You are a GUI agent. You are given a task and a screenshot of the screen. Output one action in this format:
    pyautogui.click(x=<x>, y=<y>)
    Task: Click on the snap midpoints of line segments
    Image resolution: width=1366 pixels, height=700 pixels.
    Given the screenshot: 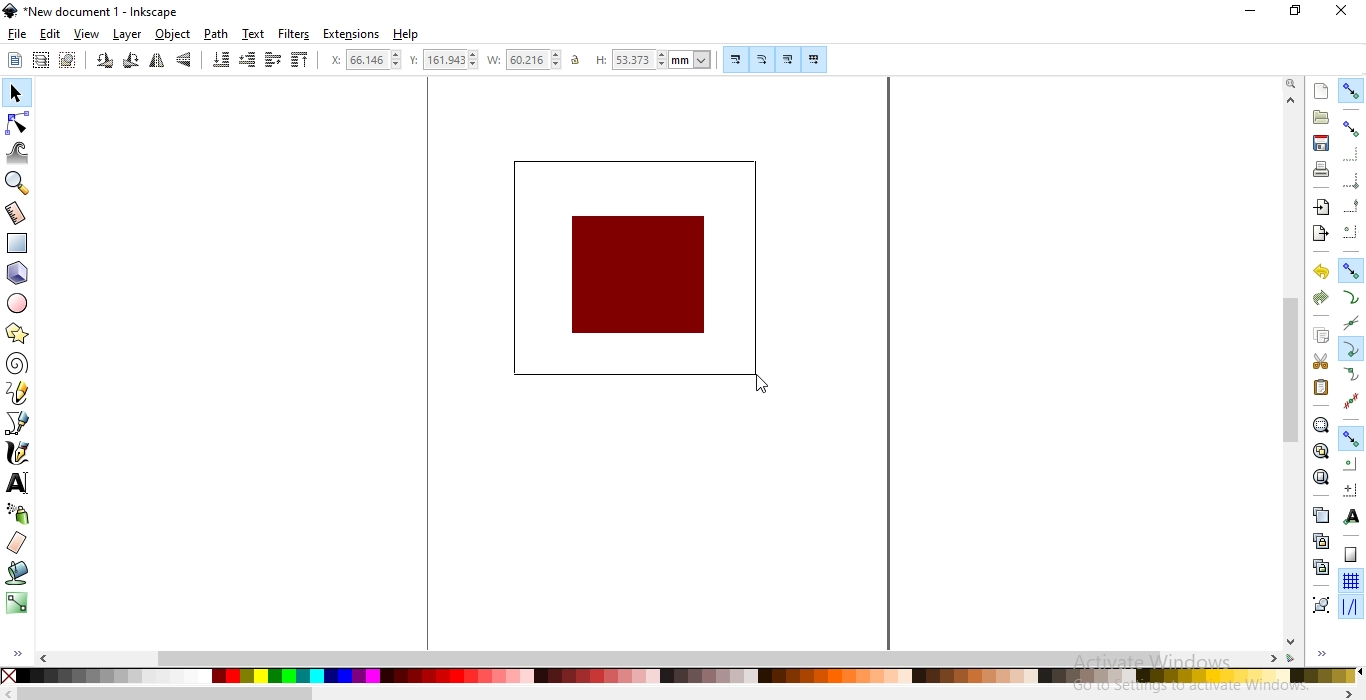 What is the action you would take?
    pyautogui.click(x=1354, y=399)
    